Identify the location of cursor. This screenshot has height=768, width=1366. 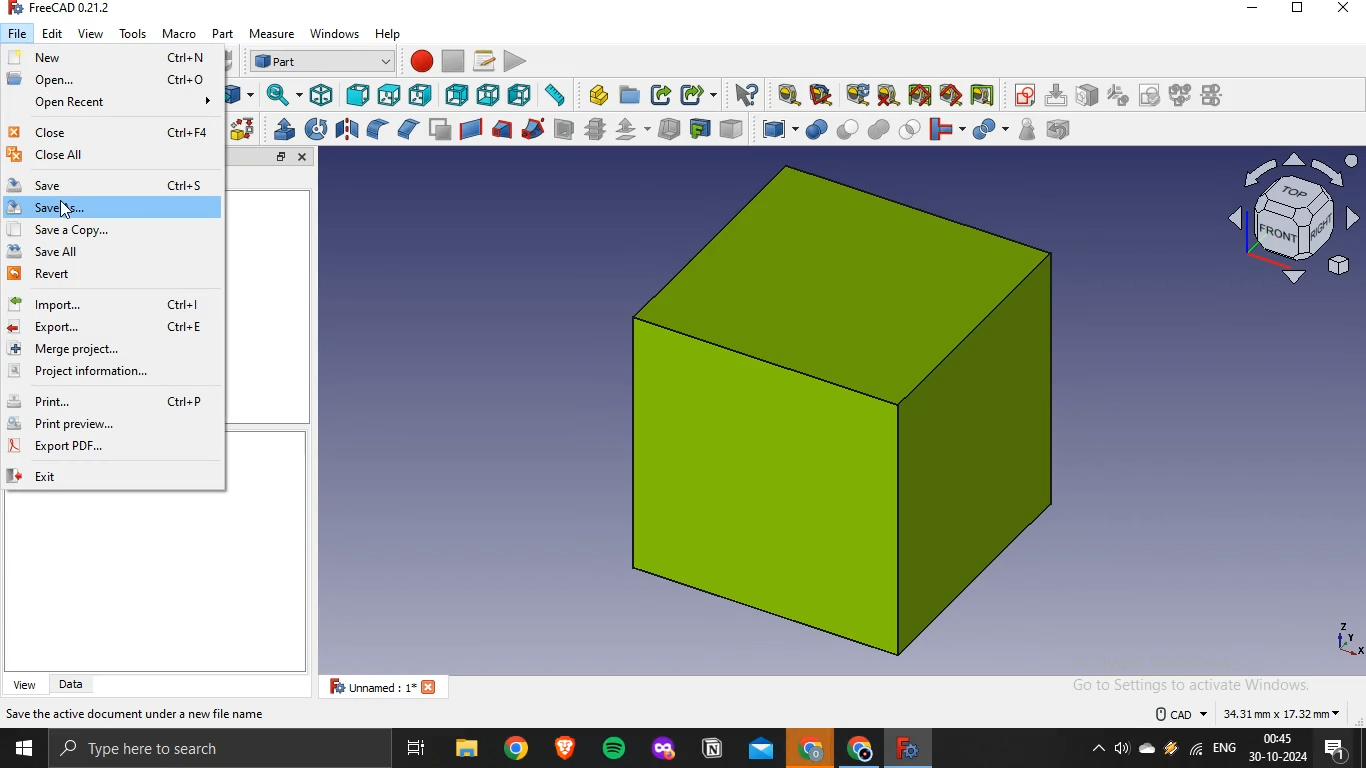
(68, 212).